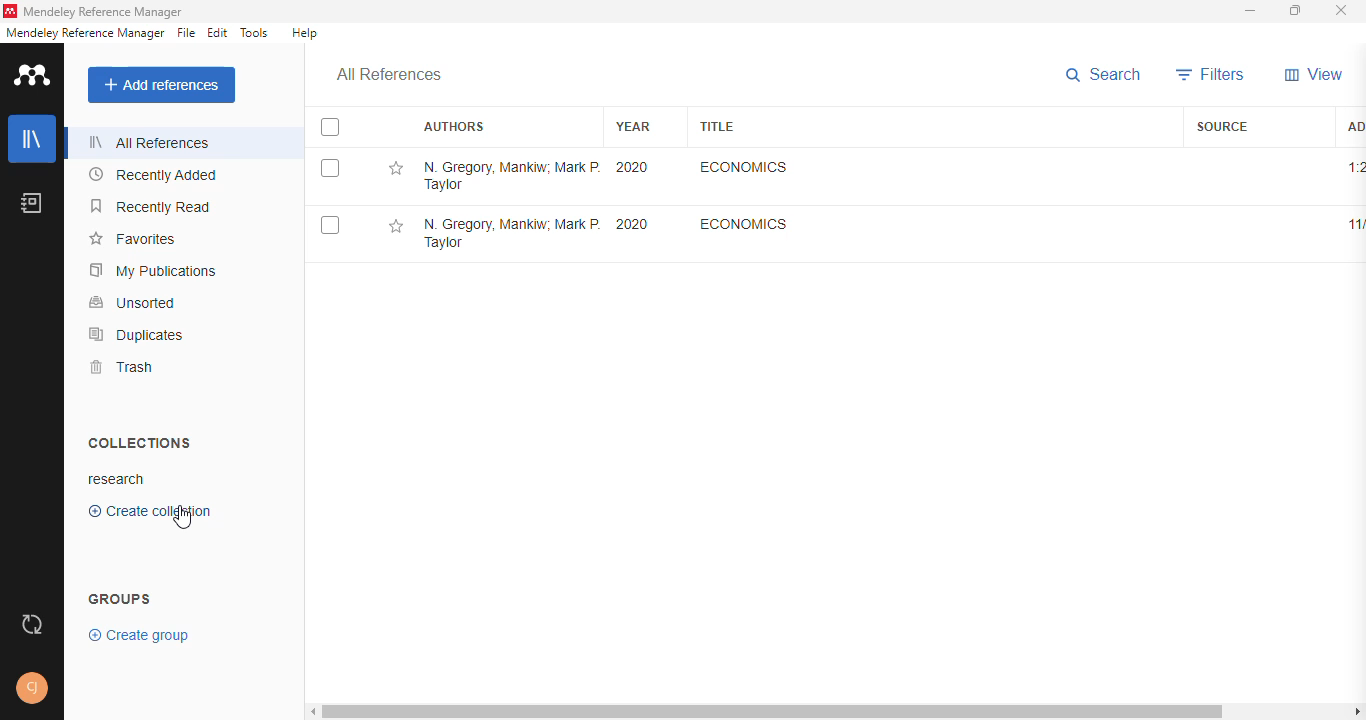 The width and height of the screenshot is (1366, 720). I want to click on year, so click(633, 126).